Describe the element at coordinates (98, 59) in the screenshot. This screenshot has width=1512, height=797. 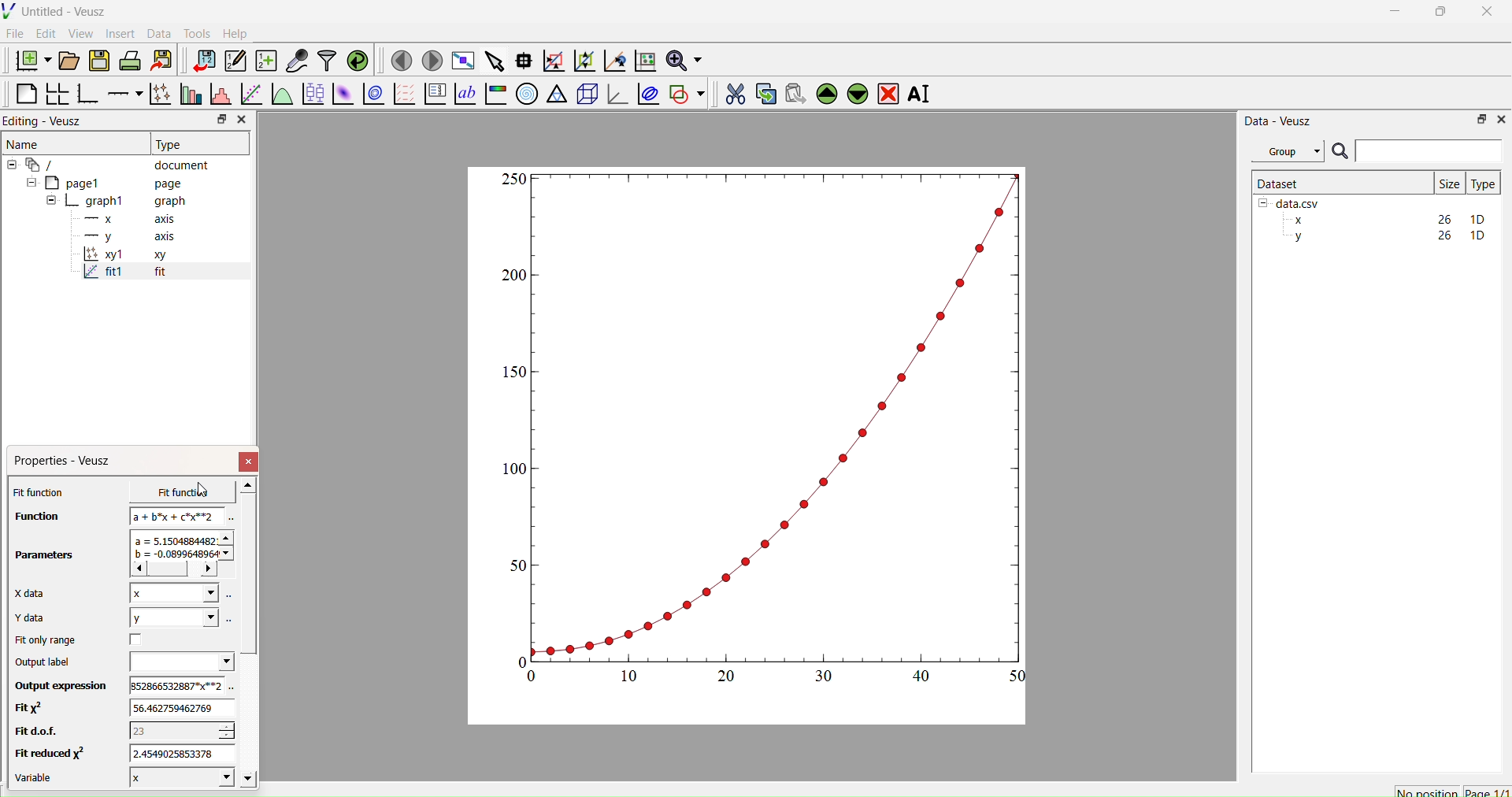
I see `Save` at that location.